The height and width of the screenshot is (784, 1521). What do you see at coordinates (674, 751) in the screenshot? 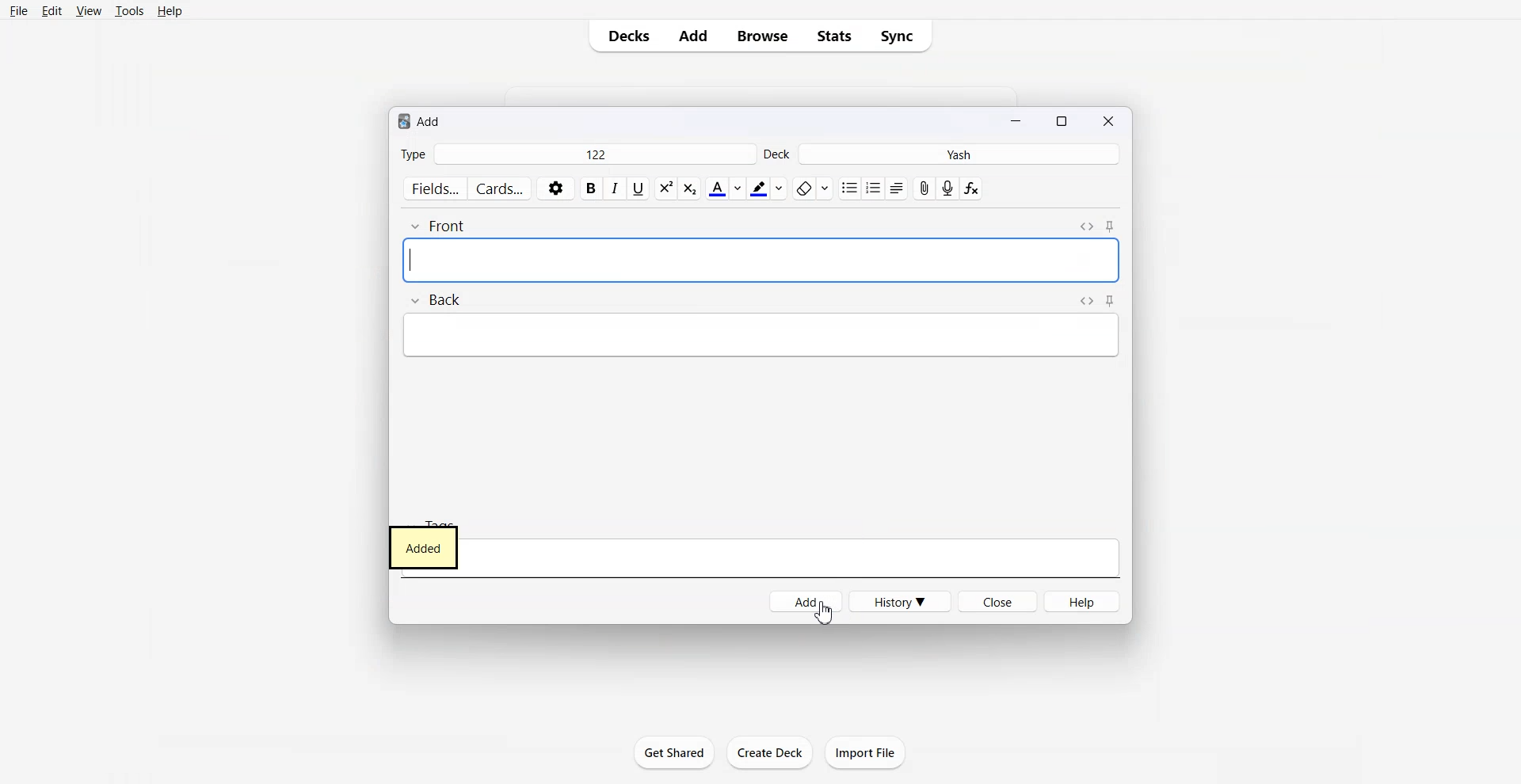
I see `Get Shared` at bounding box center [674, 751].